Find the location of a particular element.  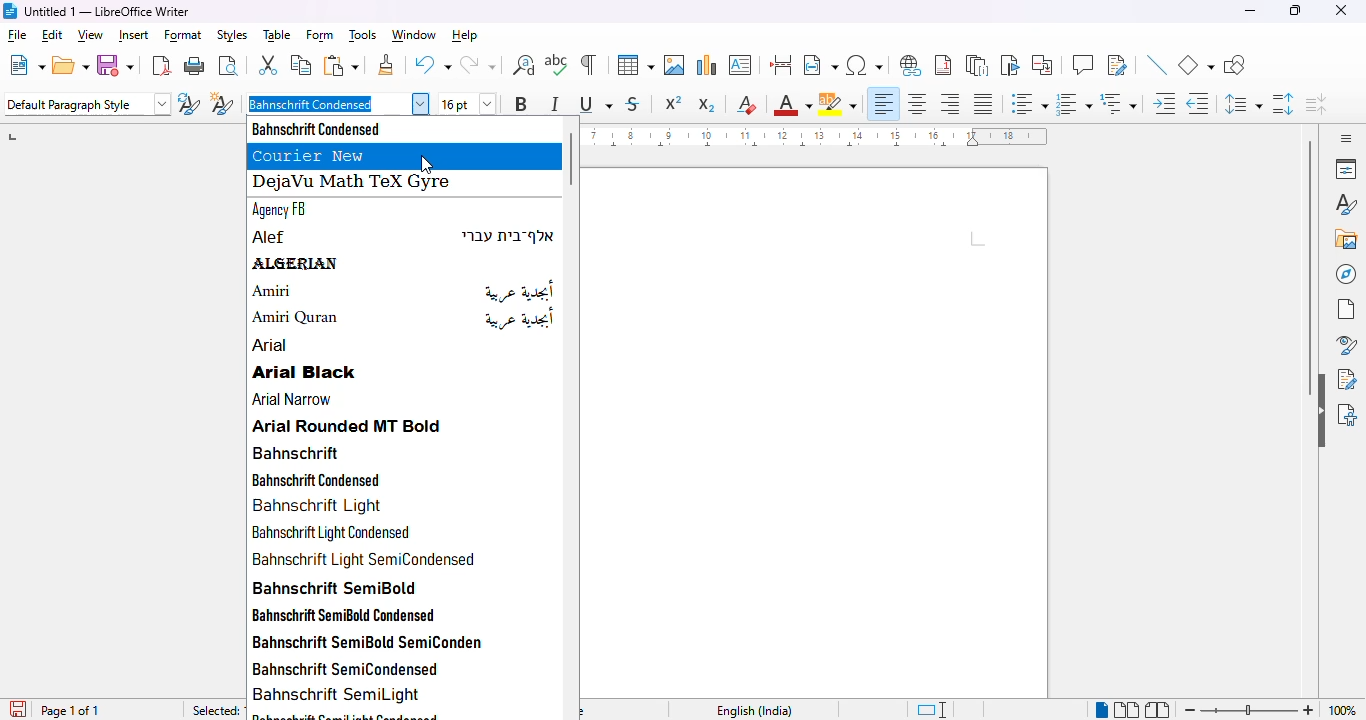

character highlighting color is located at coordinates (838, 103).